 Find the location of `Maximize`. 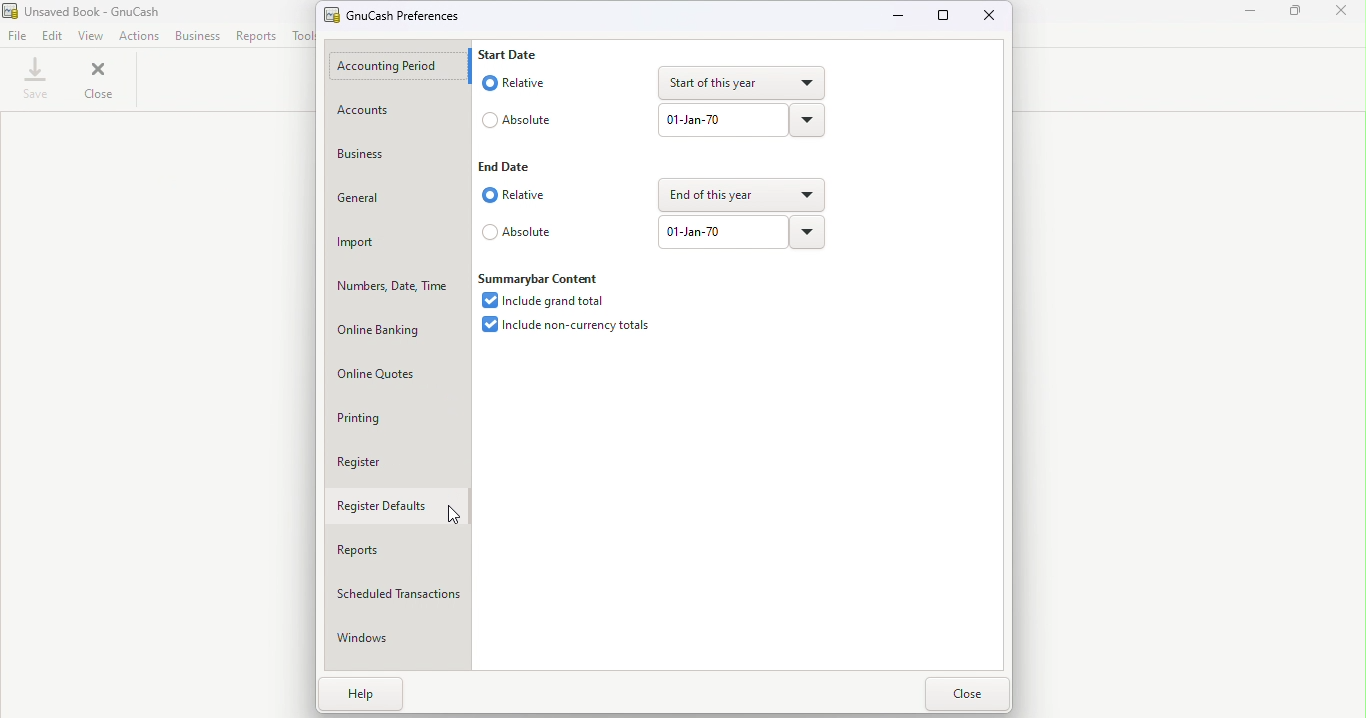

Maximize is located at coordinates (946, 19).